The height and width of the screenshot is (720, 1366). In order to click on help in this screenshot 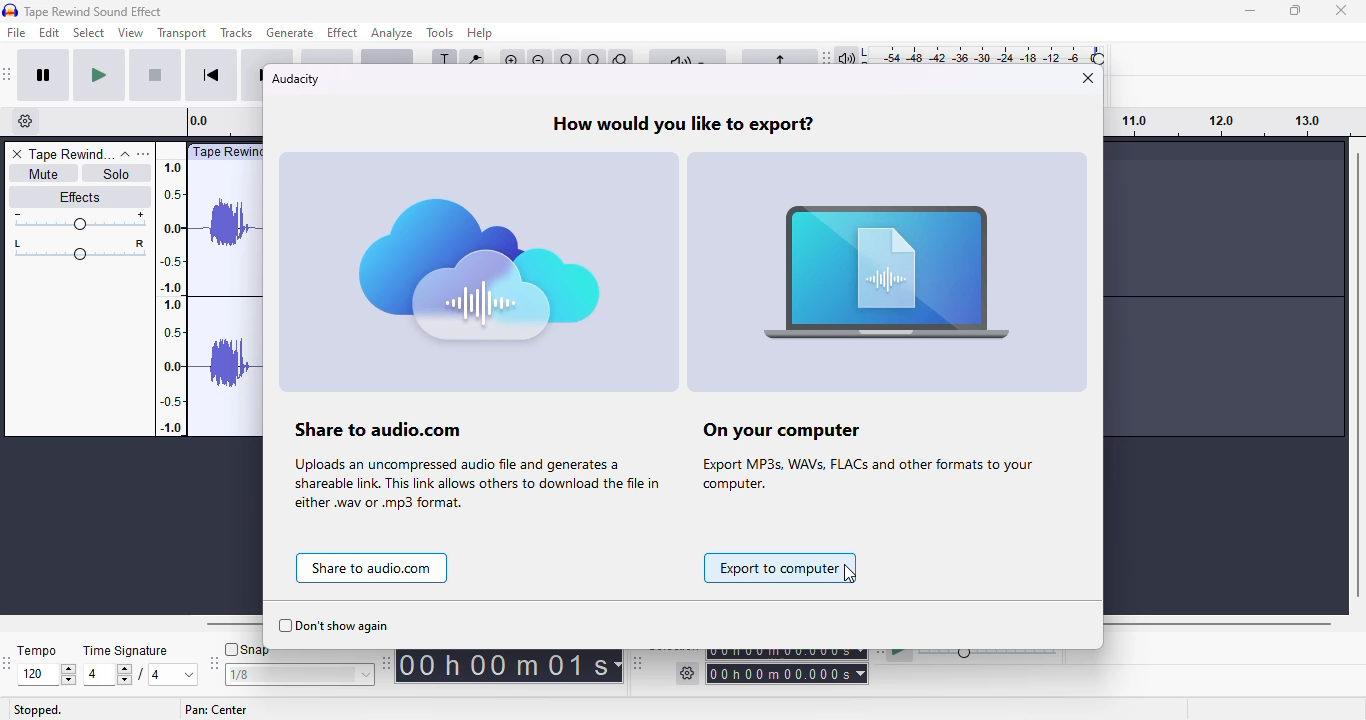, I will do `click(480, 33)`.